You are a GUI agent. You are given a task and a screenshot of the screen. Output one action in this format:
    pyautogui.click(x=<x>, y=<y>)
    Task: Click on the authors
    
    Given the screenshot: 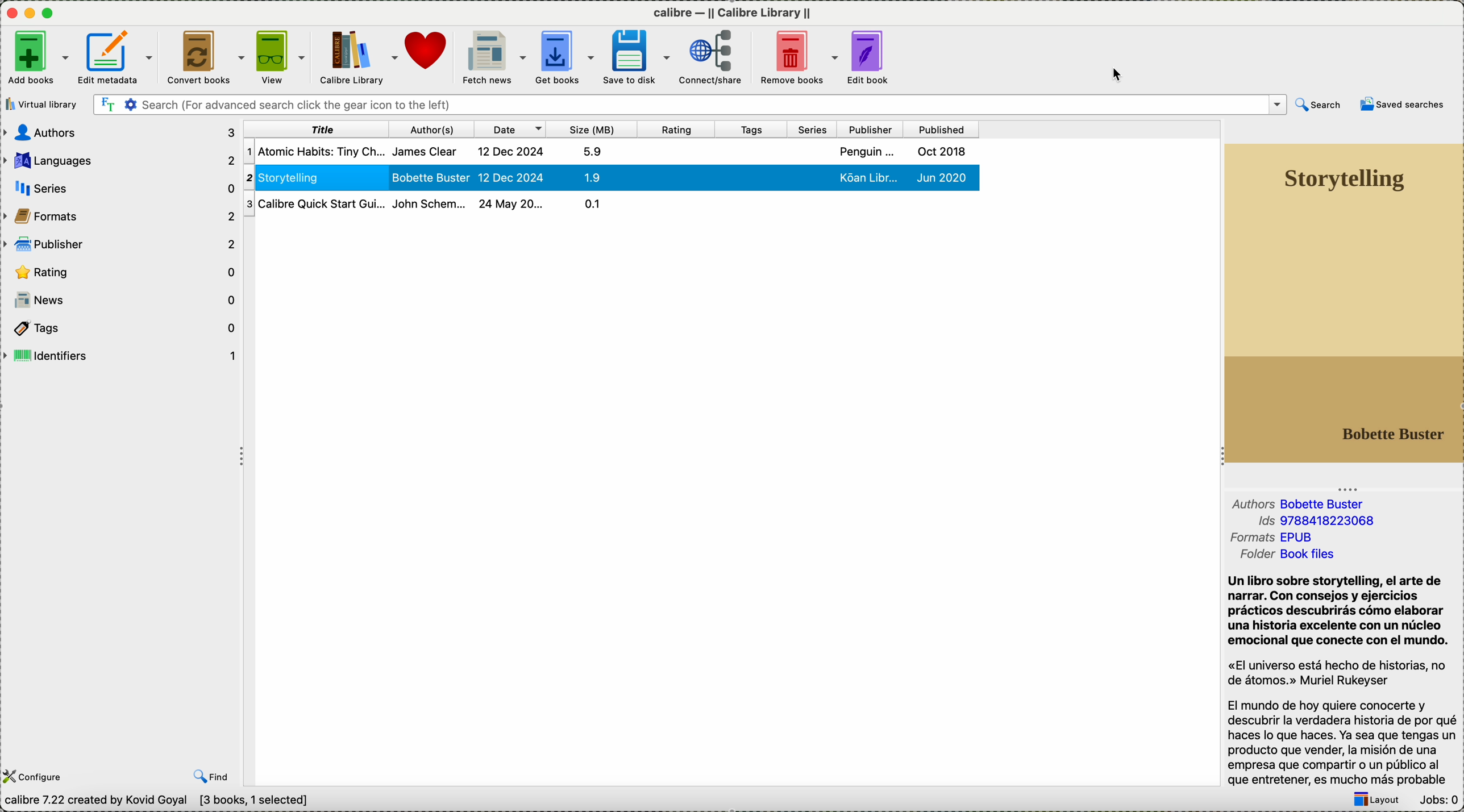 What is the action you would take?
    pyautogui.click(x=120, y=132)
    